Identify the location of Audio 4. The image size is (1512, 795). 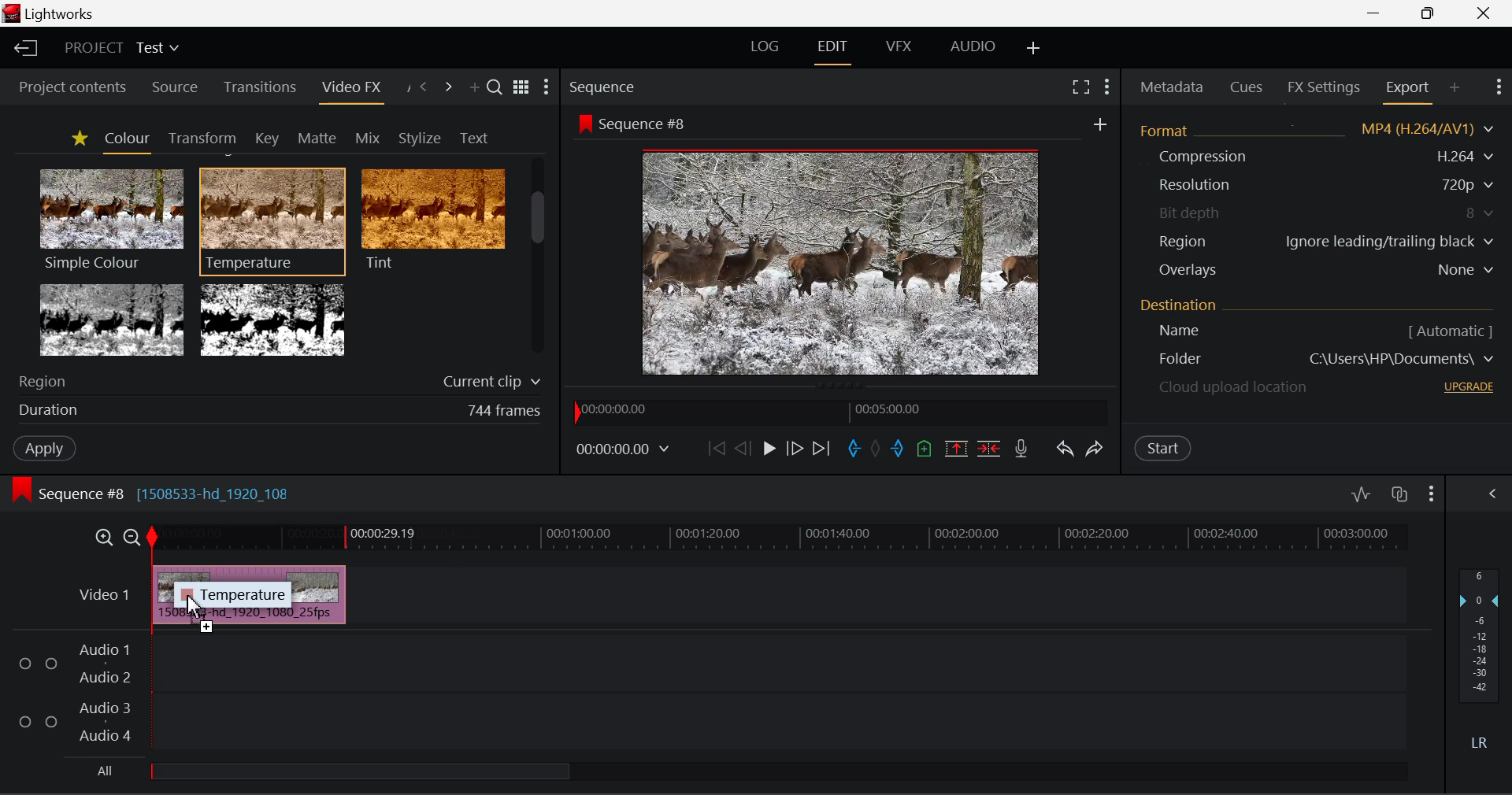
(102, 733).